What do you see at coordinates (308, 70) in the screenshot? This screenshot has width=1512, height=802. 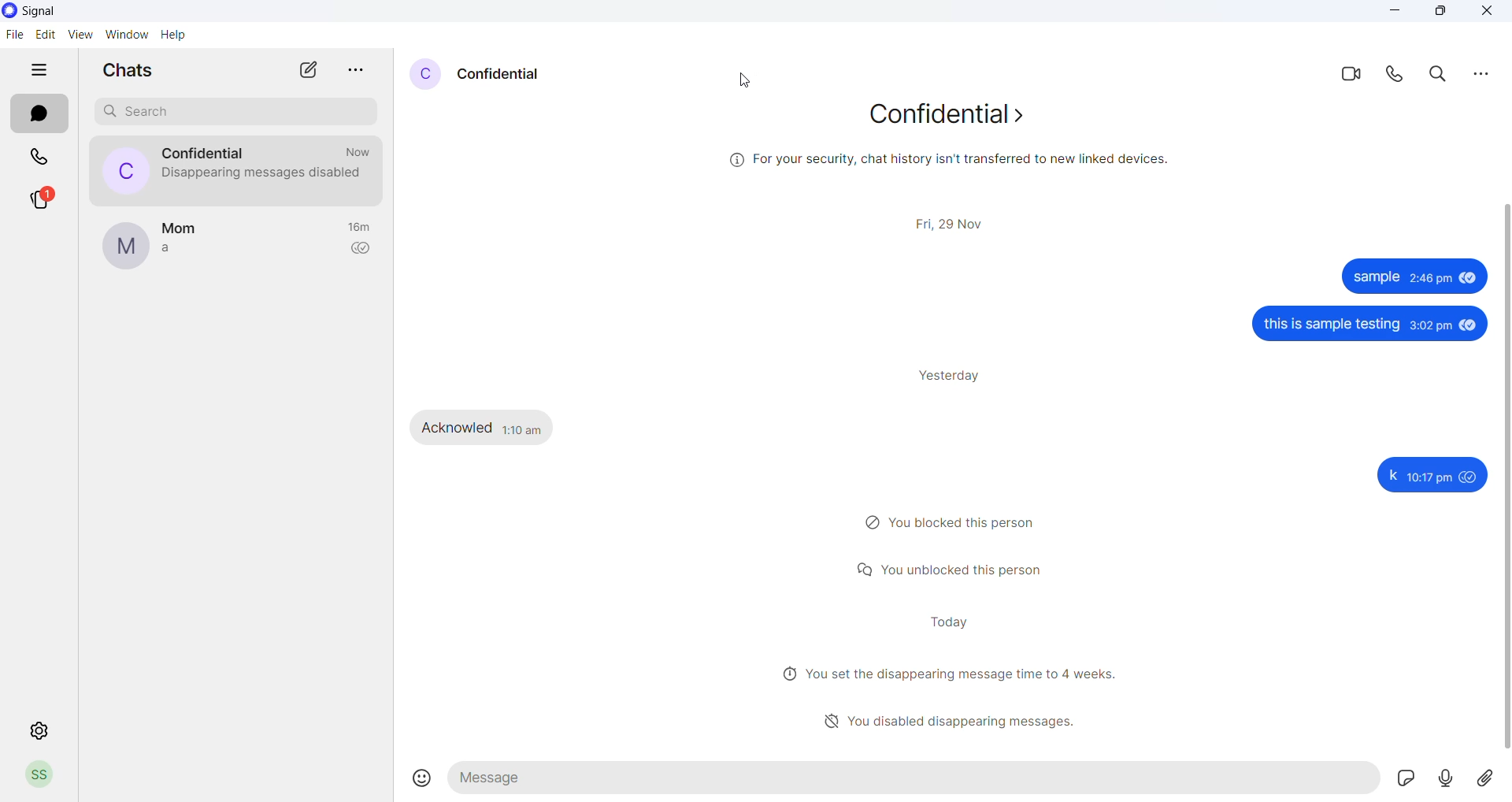 I see `new chat` at bounding box center [308, 70].